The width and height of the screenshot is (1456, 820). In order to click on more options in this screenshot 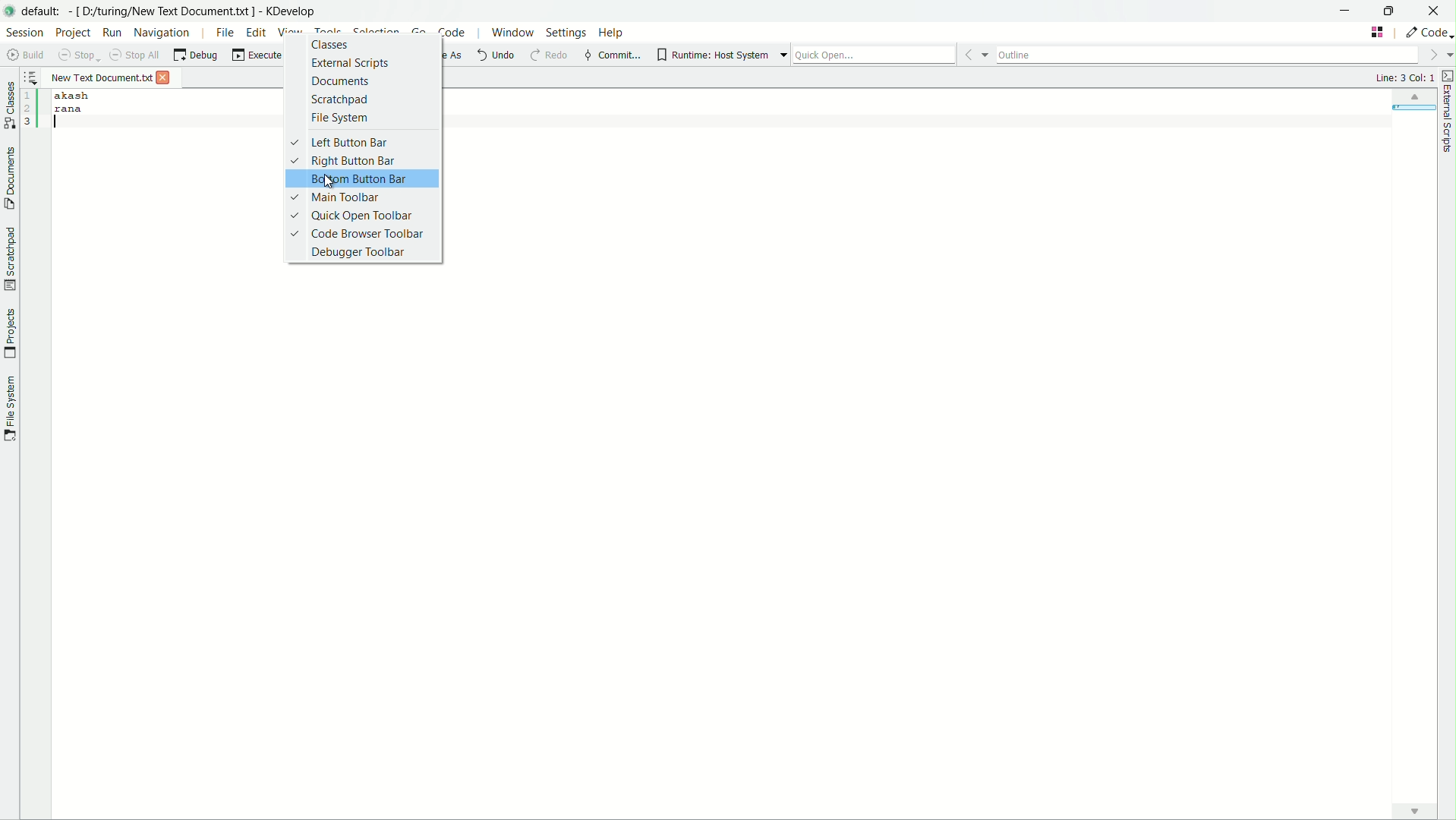, I will do `click(975, 52)`.